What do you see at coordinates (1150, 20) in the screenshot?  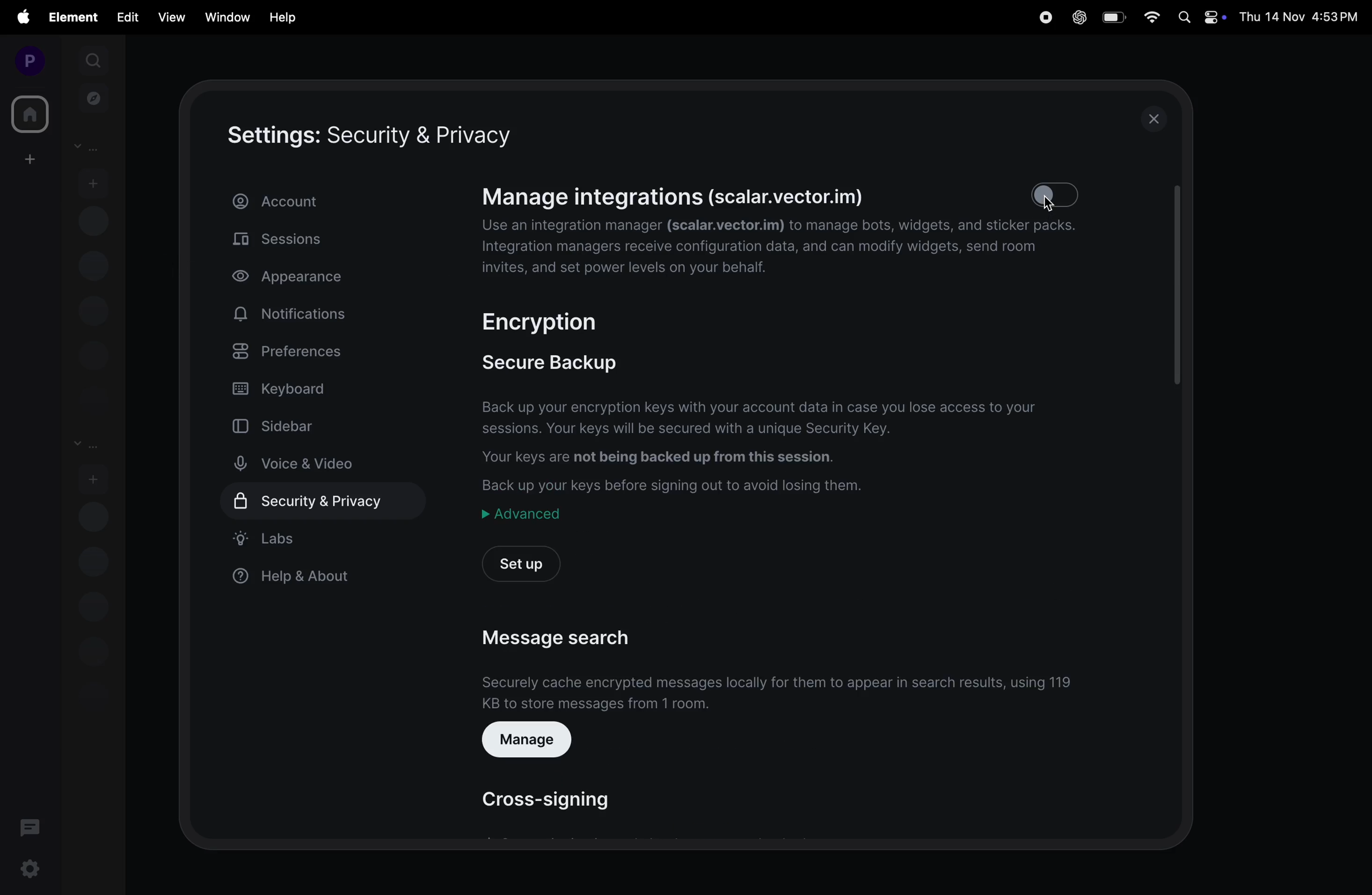 I see `wifi` at bounding box center [1150, 20].